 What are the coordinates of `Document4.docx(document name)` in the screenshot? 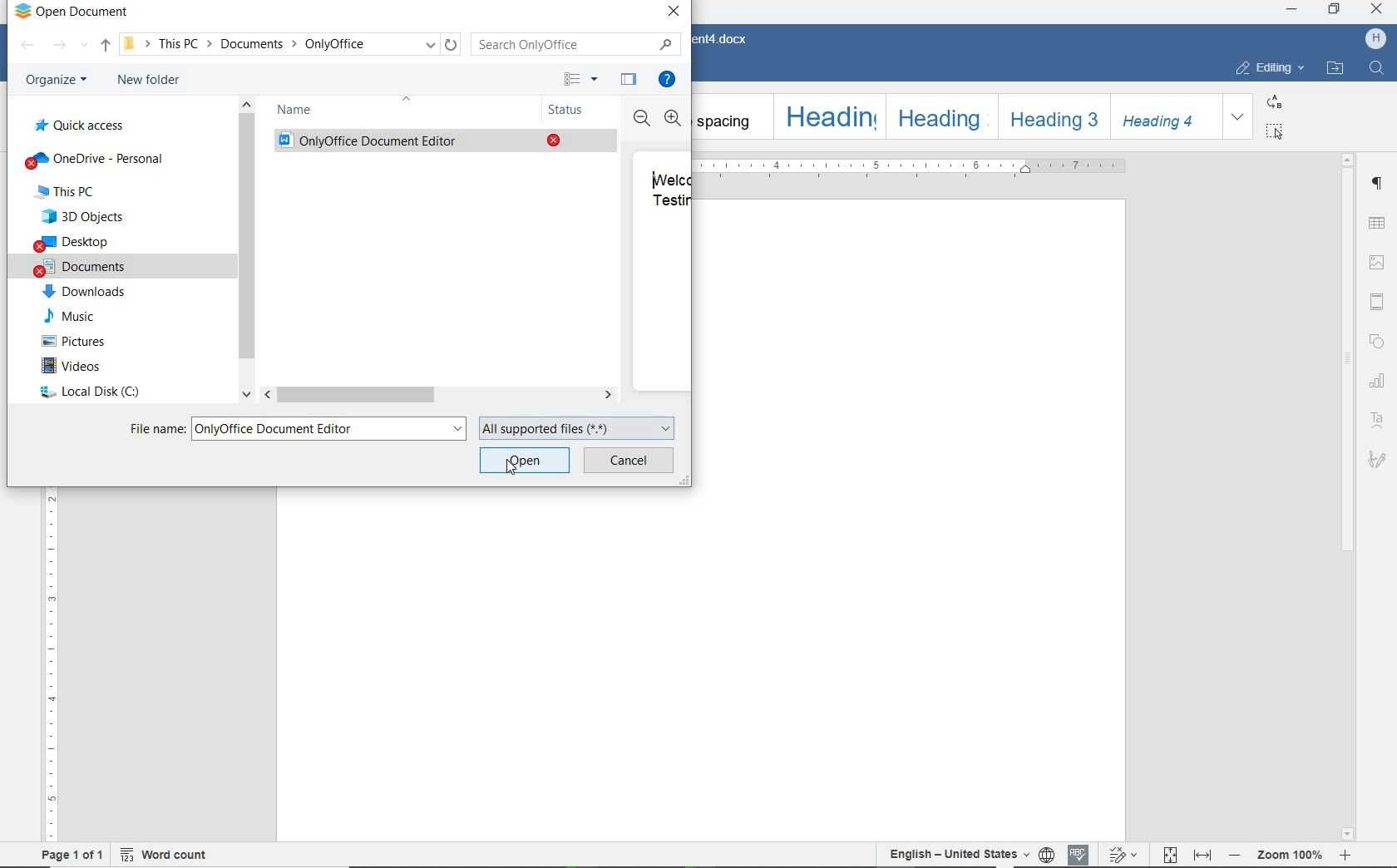 It's located at (728, 41).